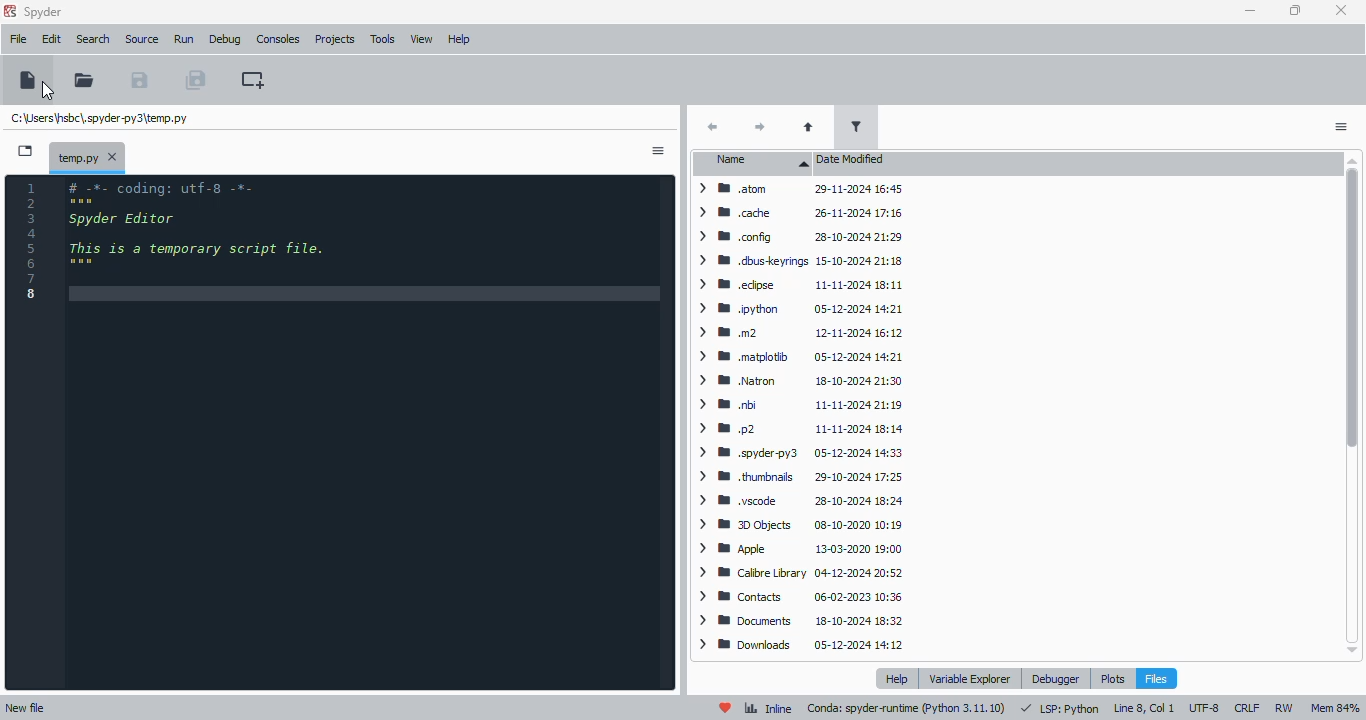 This screenshot has width=1366, height=720. What do you see at coordinates (798, 261) in the screenshot?
I see `> BW .dbuskeyrings 15-10-2024 21:18` at bounding box center [798, 261].